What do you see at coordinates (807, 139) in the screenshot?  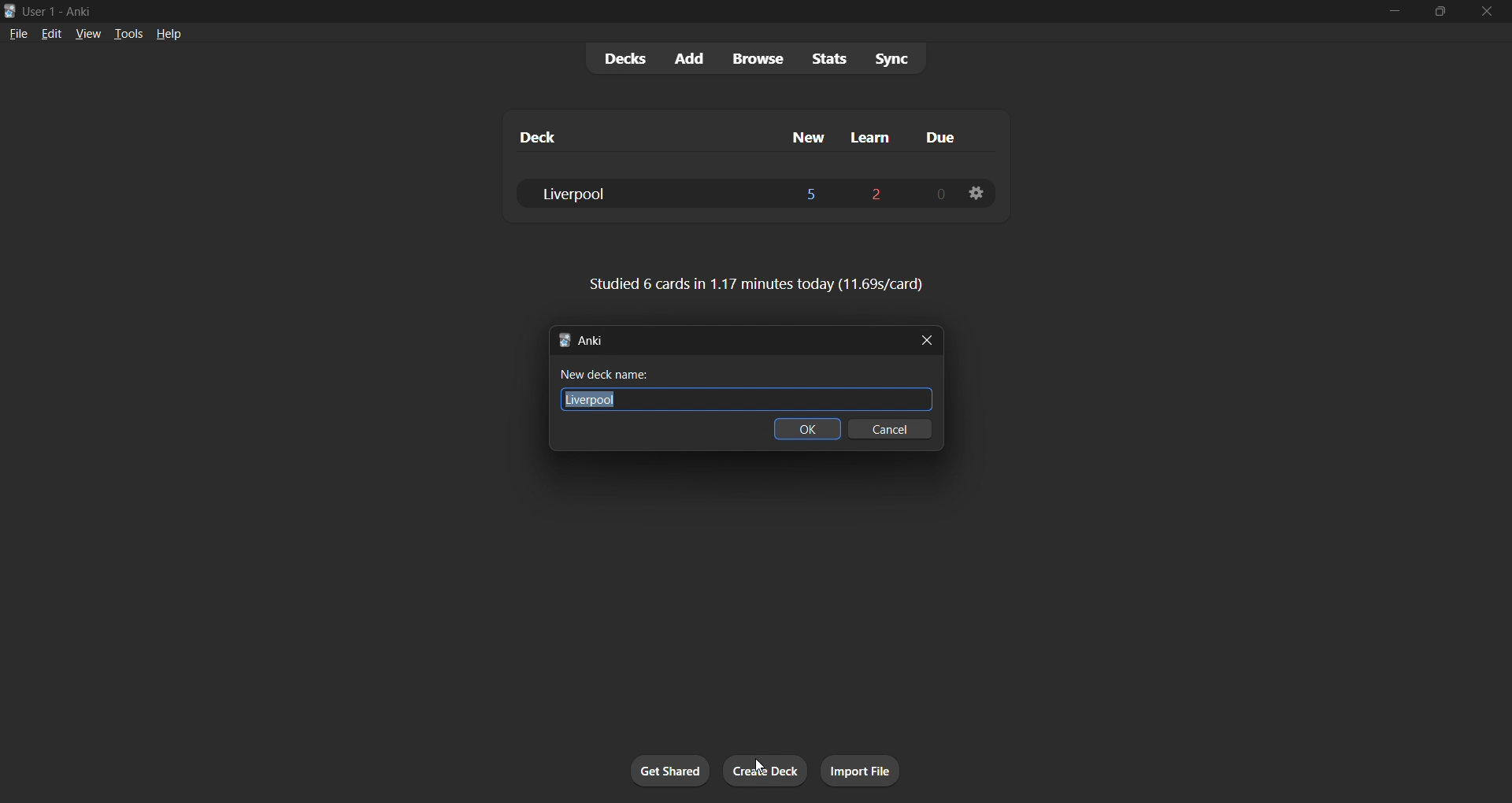 I see `new cards column` at bounding box center [807, 139].